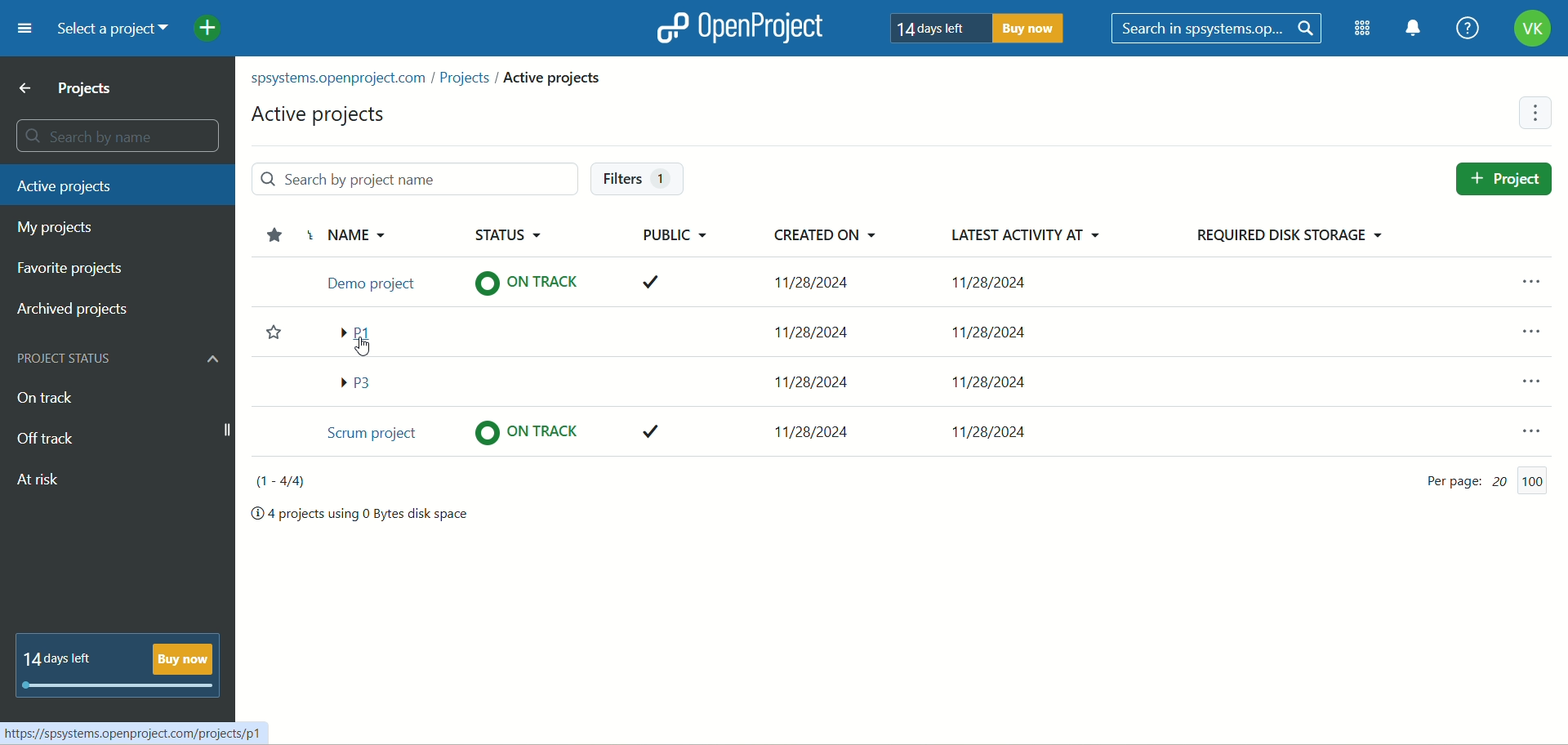  What do you see at coordinates (112, 185) in the screenshot?
I see `active projects` at bounding box center [112, 185].